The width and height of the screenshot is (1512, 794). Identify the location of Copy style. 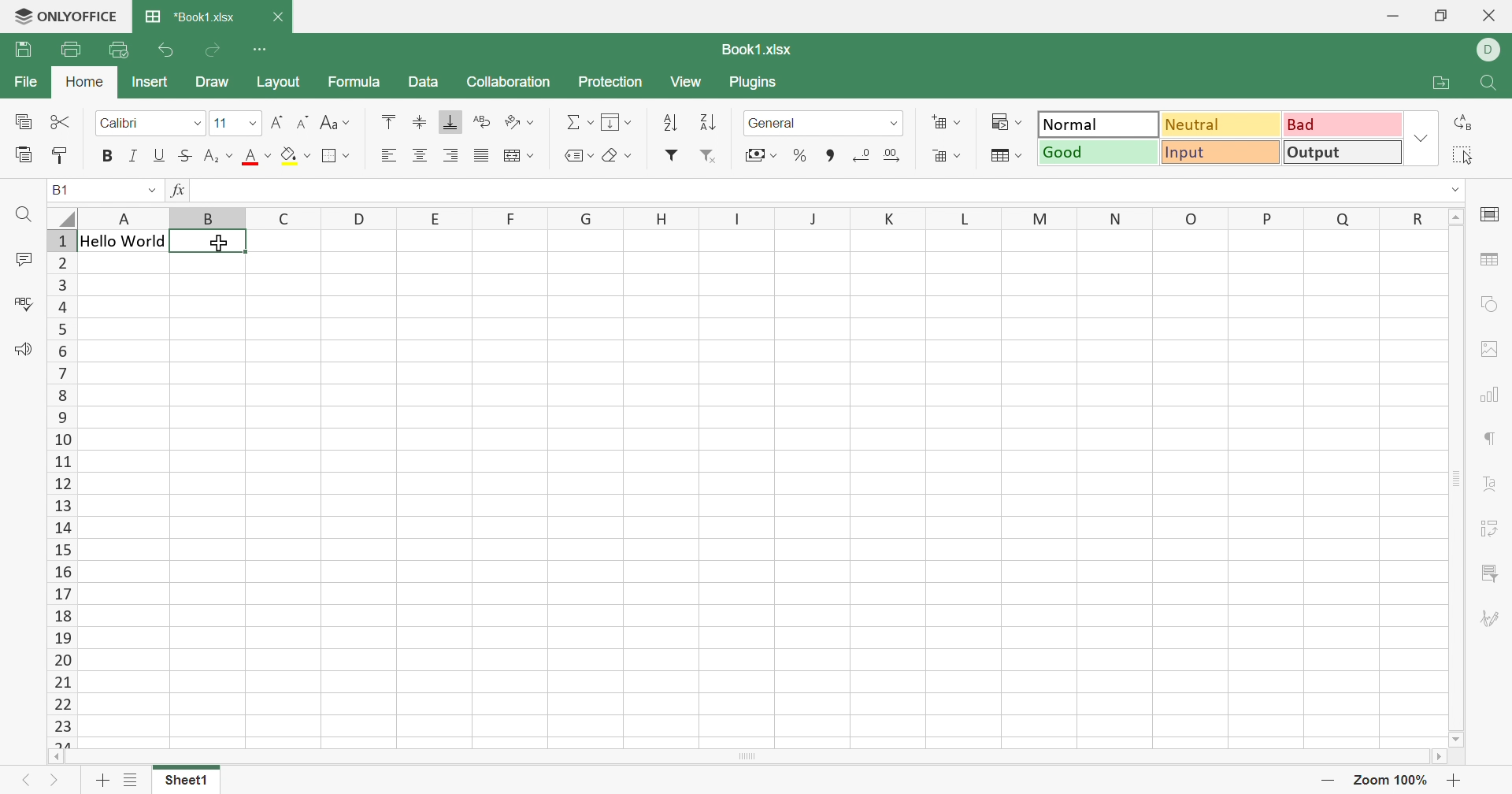
(61, 158).